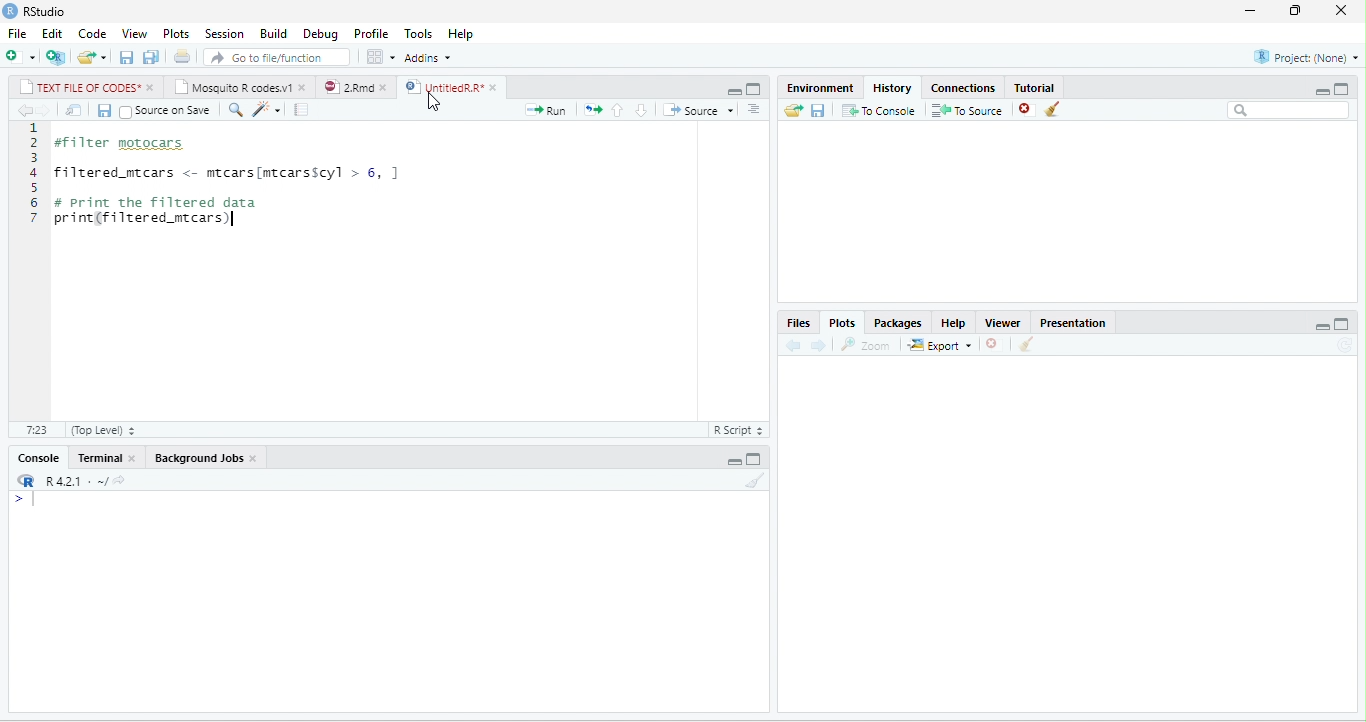 The image size is (1366, 722). What do you see at coordinates (385, 88) in the screenshot?
I see `close` at bounding box center [385, 88].